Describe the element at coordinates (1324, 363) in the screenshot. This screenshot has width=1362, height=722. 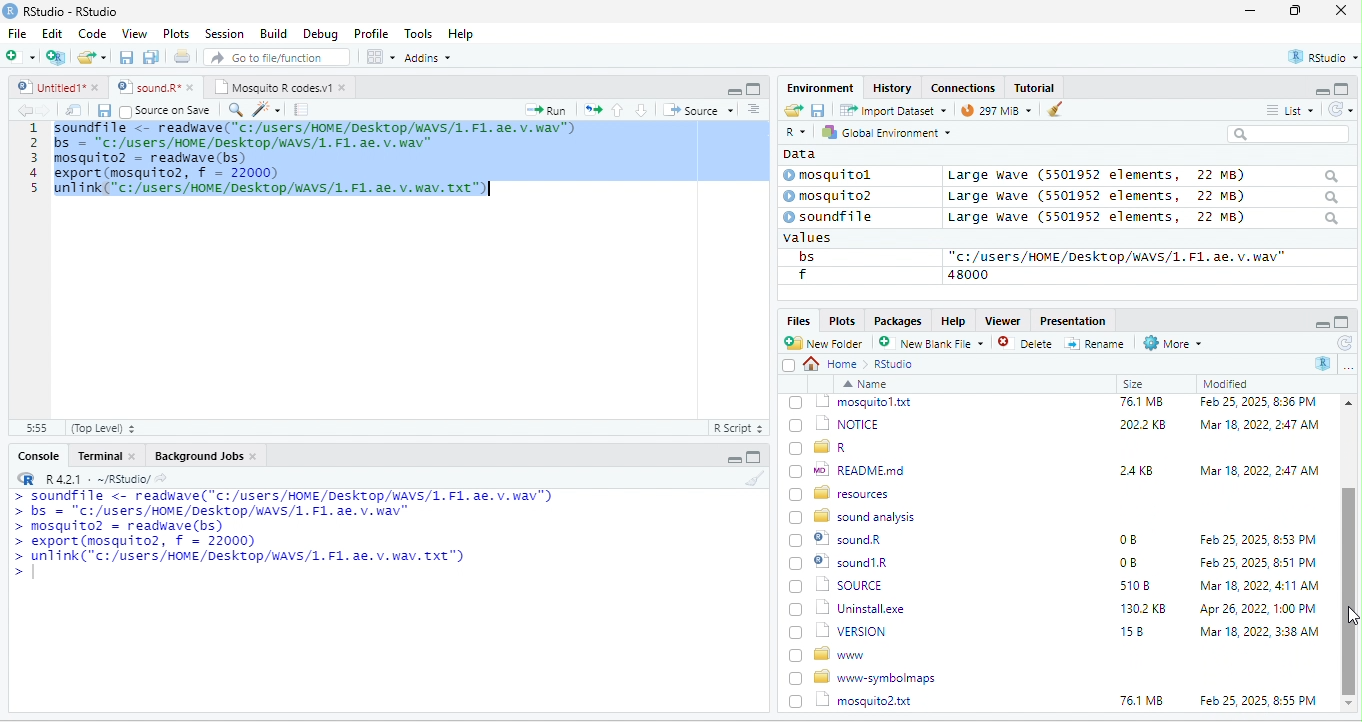
I see `R` at that location.